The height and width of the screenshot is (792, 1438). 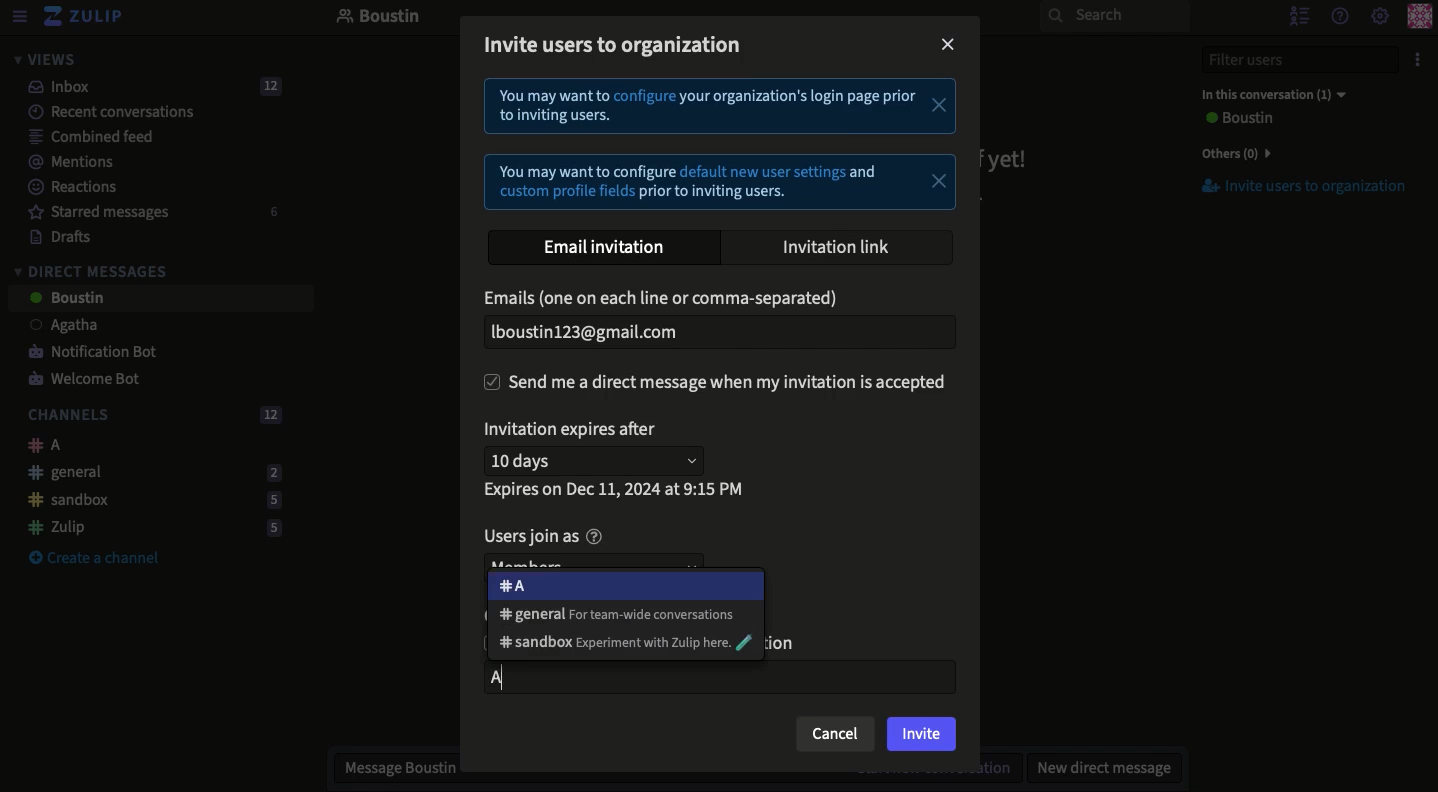 I want to click on Invitation expires after, so click(x=575, y=430).